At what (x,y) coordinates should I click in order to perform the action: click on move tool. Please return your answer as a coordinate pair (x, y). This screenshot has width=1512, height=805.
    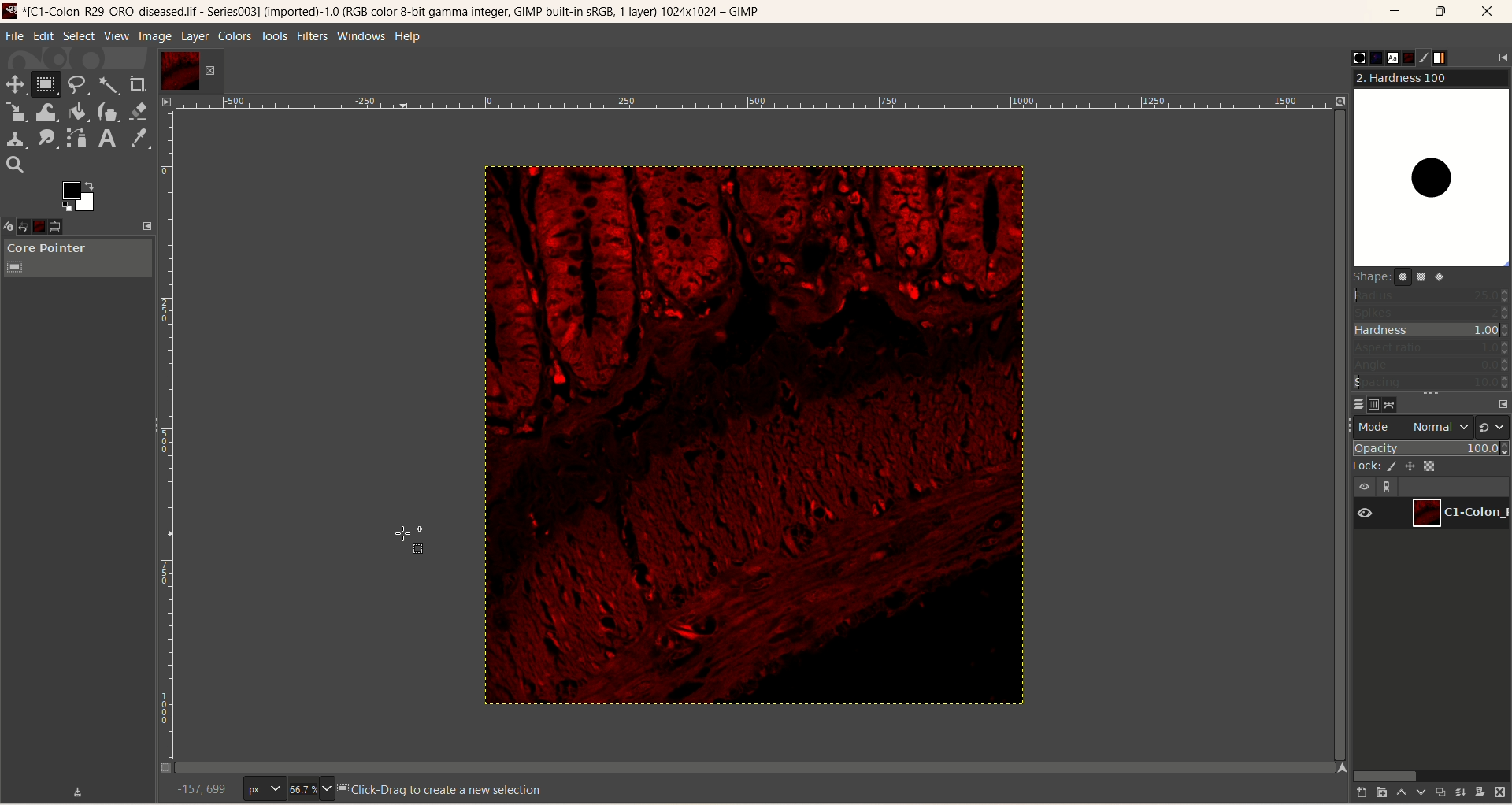
    Looking at the image, I should click on (13, 83).